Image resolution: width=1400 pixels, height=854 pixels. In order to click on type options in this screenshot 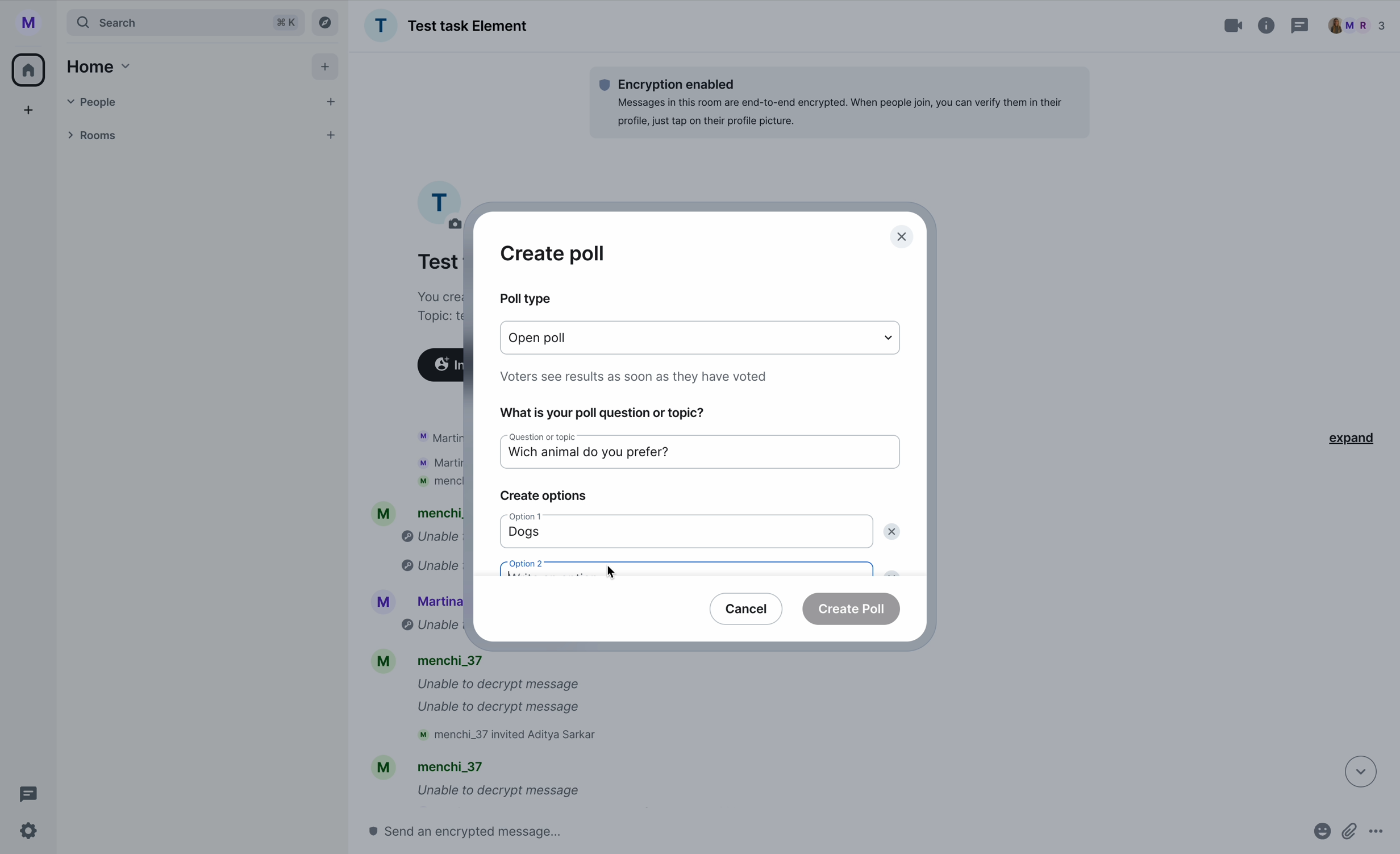, I will do `click(702, 338)`.